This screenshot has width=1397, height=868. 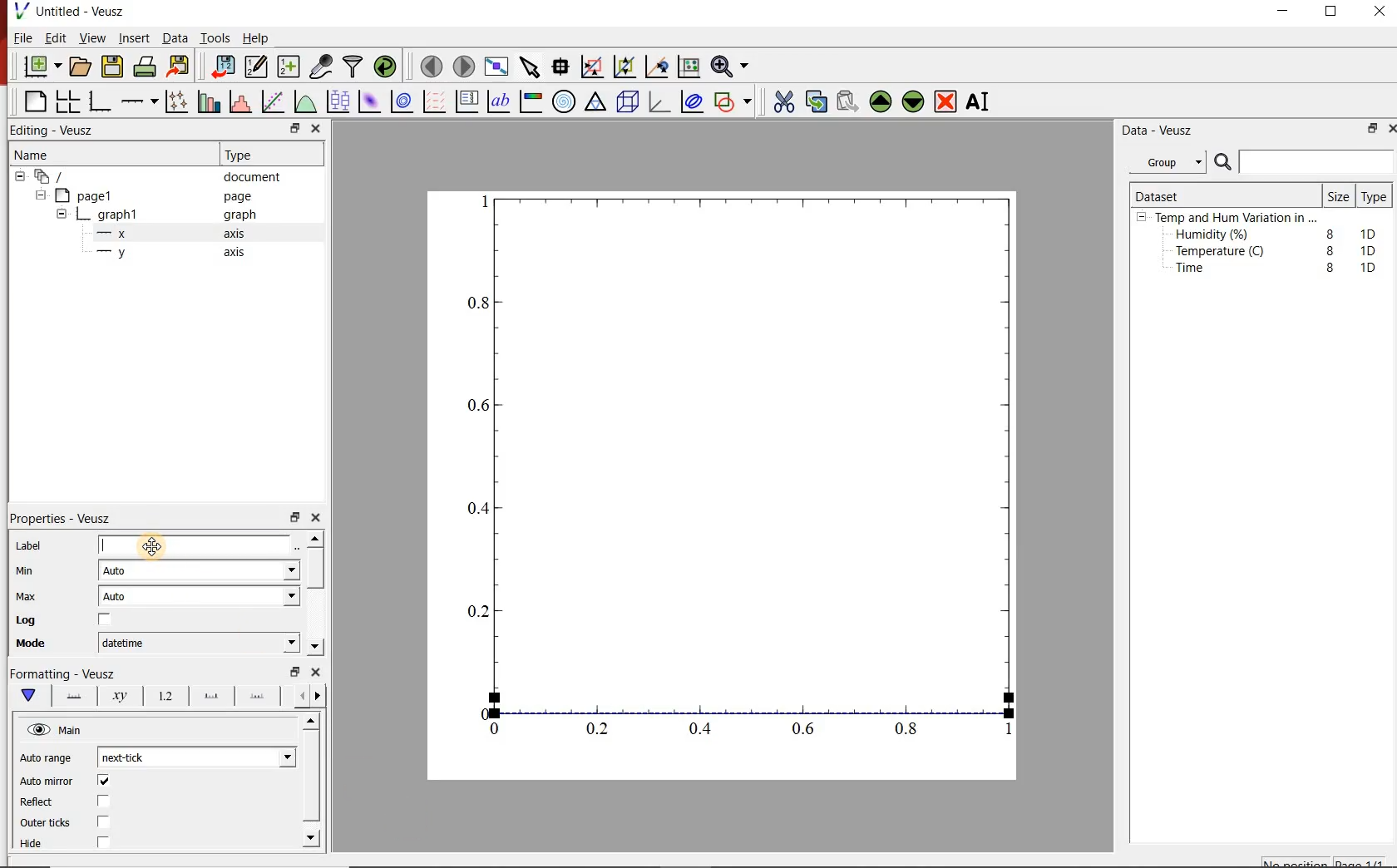 I want to click on close, so click(x=321, y=518).